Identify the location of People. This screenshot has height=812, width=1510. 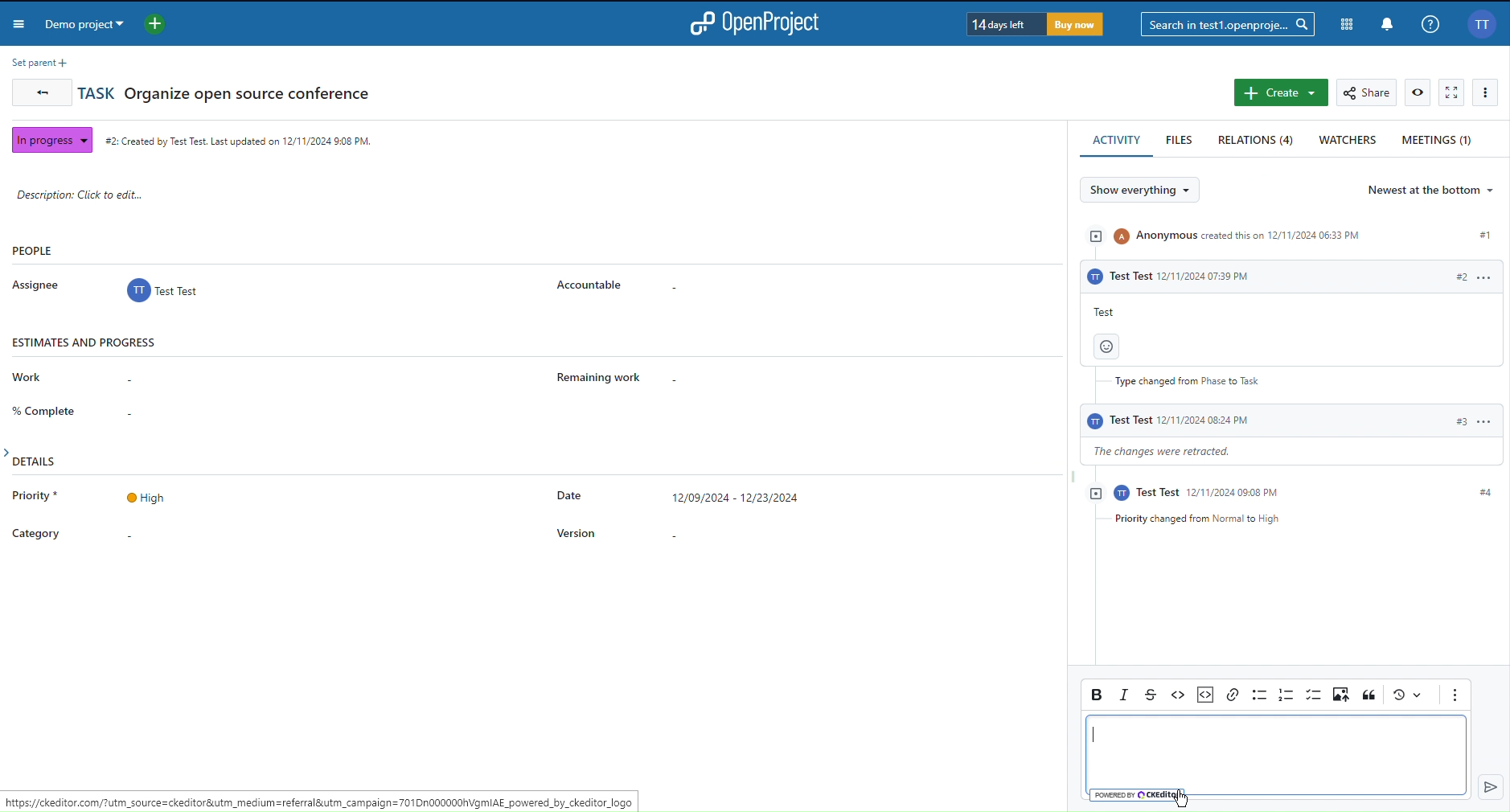
(333, 273).